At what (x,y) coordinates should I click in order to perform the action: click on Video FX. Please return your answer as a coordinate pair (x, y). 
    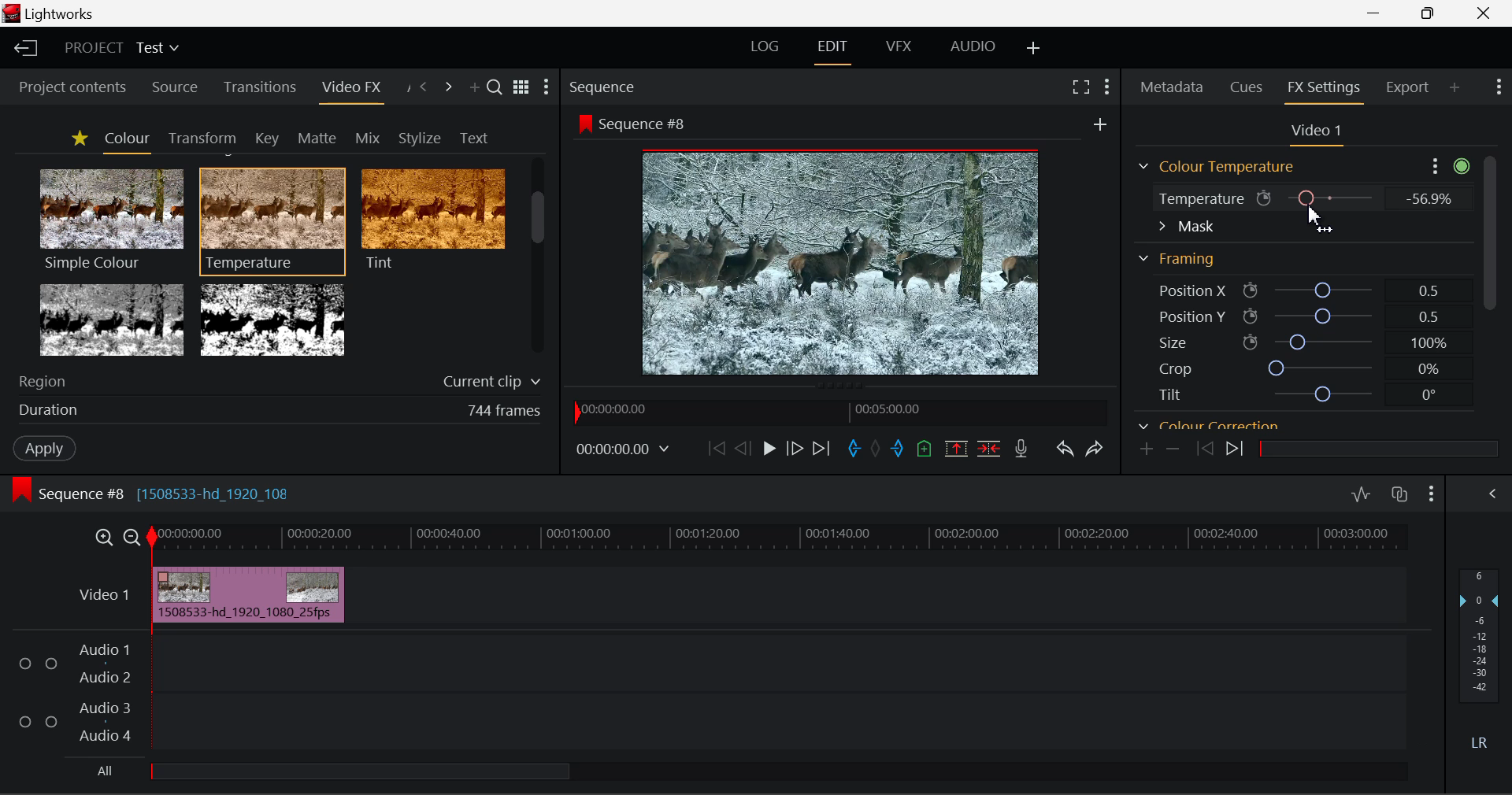
    Looking at the image, I should click on (350, 92).